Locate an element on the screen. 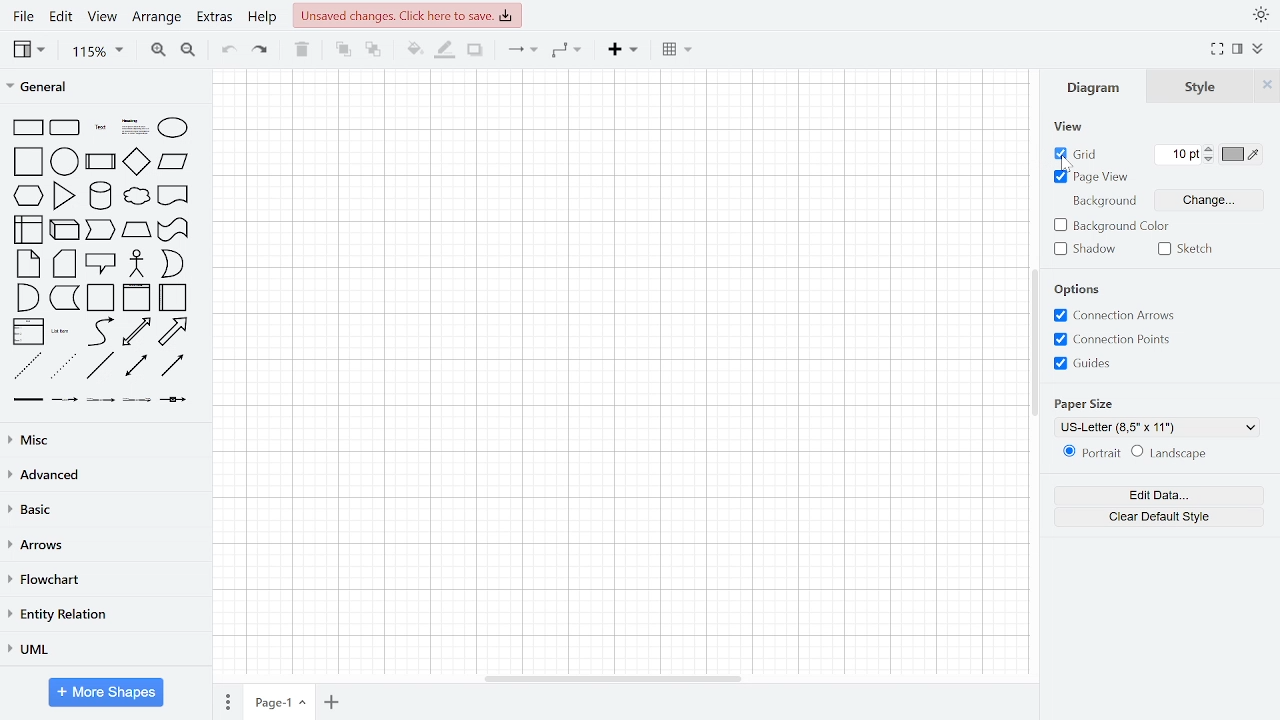 The image size is (1280, 720). data storage is located at coordinates (66, 298).